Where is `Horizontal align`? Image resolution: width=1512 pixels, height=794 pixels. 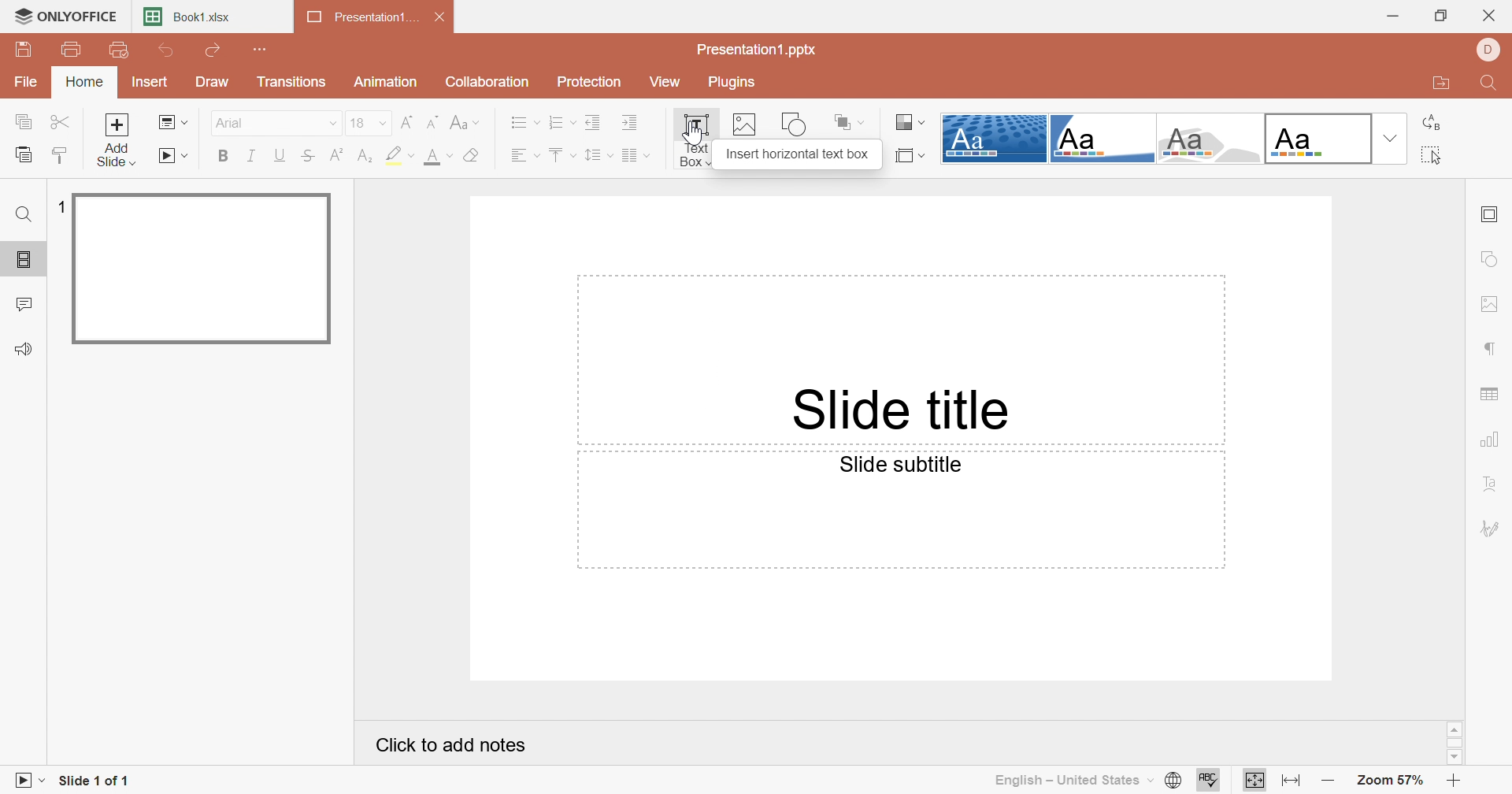
Horizontal align is located at coordinates (522, 155).